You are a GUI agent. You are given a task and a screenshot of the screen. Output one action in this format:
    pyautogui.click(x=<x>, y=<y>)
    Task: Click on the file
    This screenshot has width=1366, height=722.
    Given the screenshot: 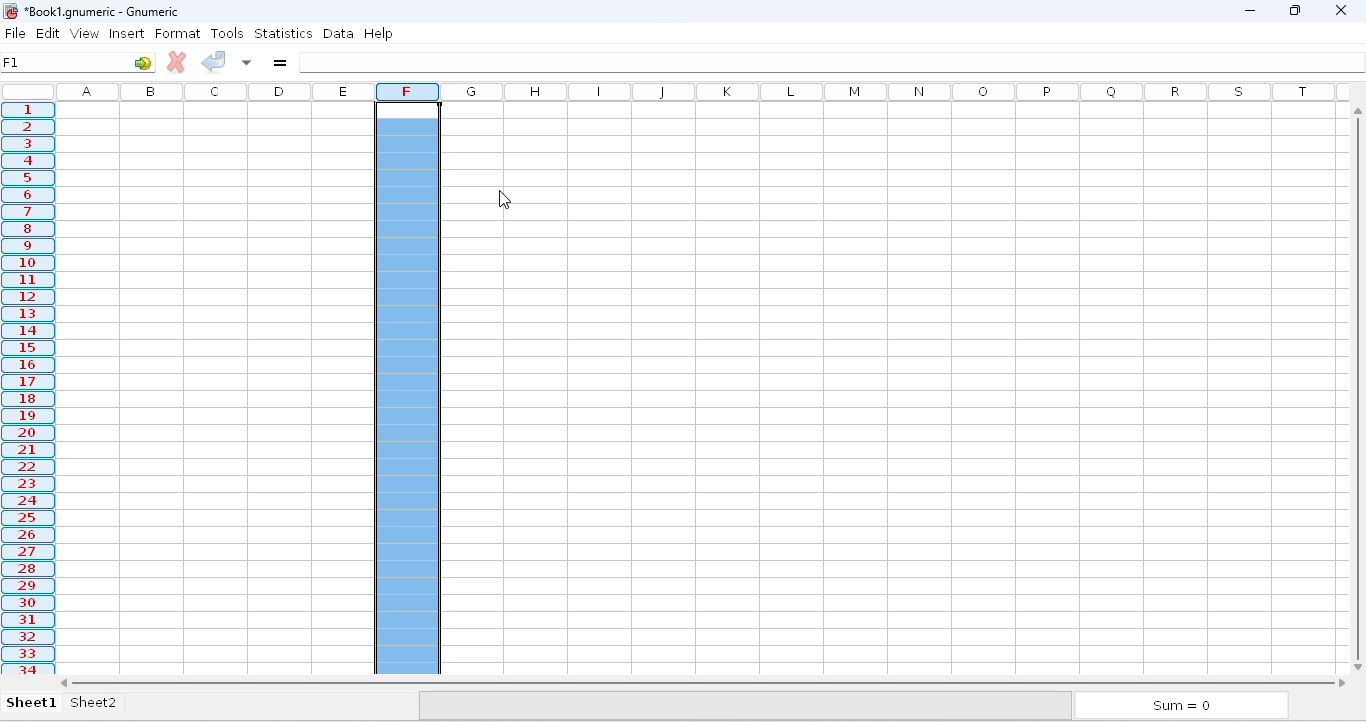 What is the action you would take?
    pyautogui.click(x=15, y=34)
    